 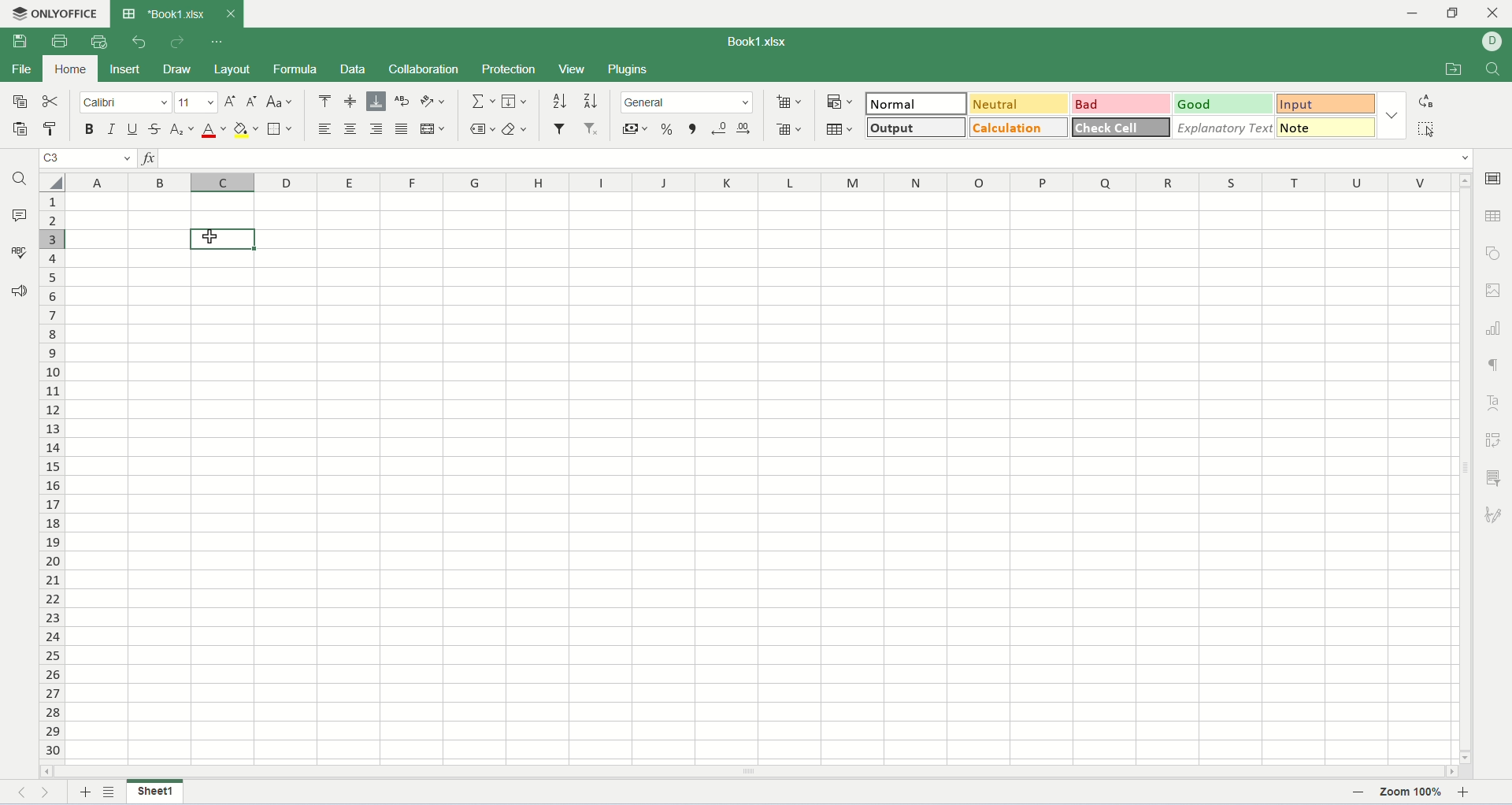 I want to click on percent style, so click(x=669, y=127).